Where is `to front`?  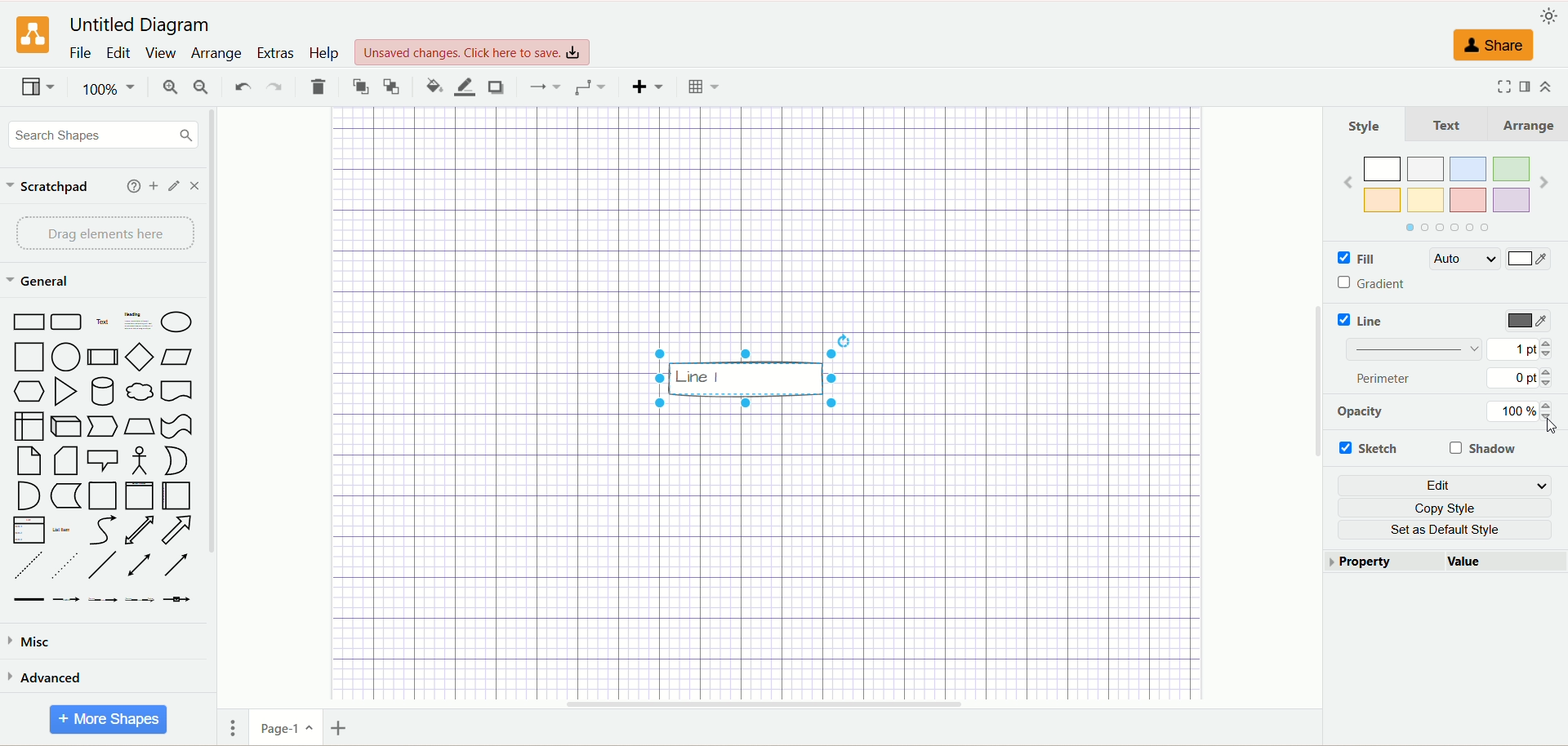 to front is located at coordinates (359, 86).